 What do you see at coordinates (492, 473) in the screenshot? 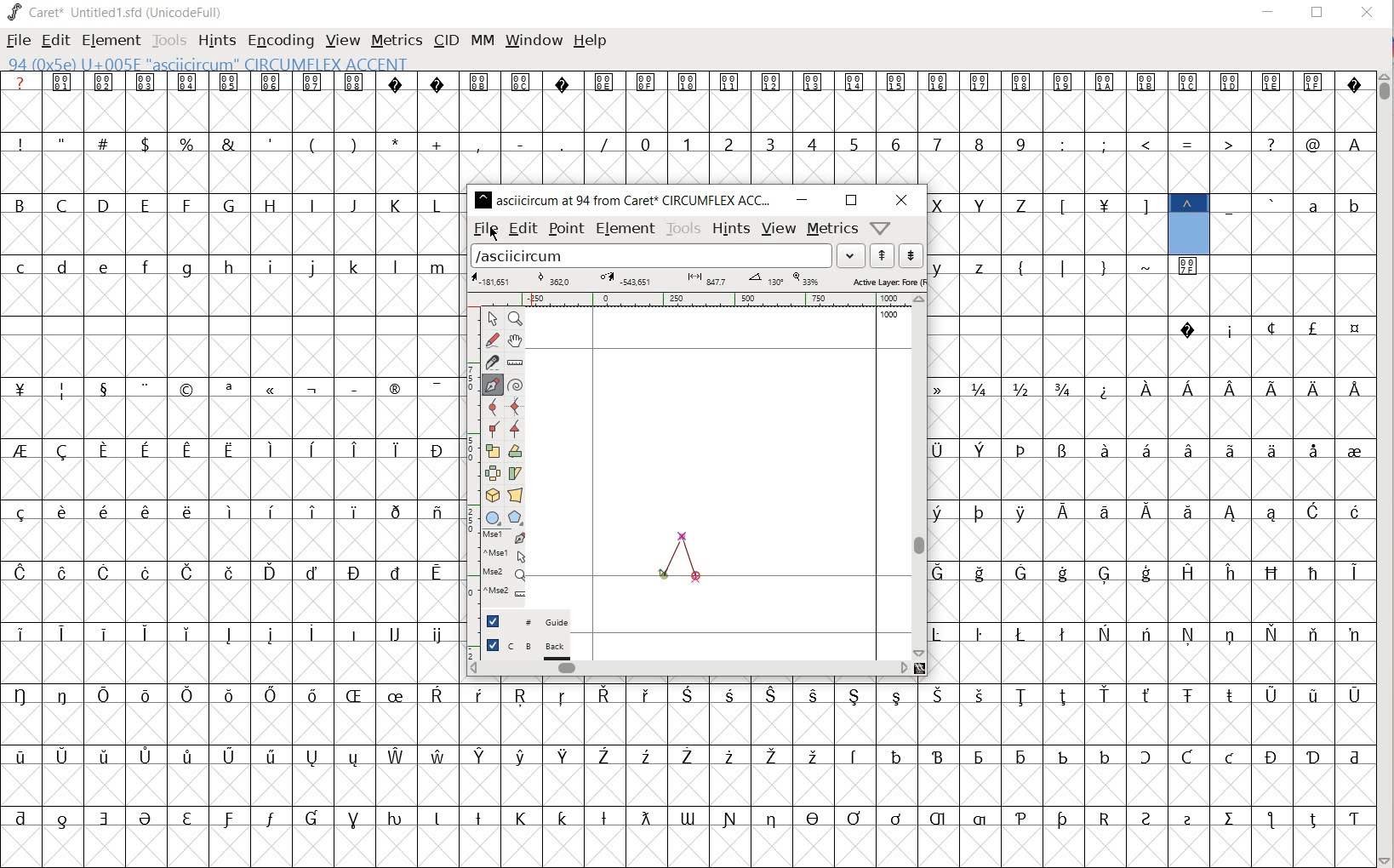
I see `flip the selection` at bounding box center [492, 473].